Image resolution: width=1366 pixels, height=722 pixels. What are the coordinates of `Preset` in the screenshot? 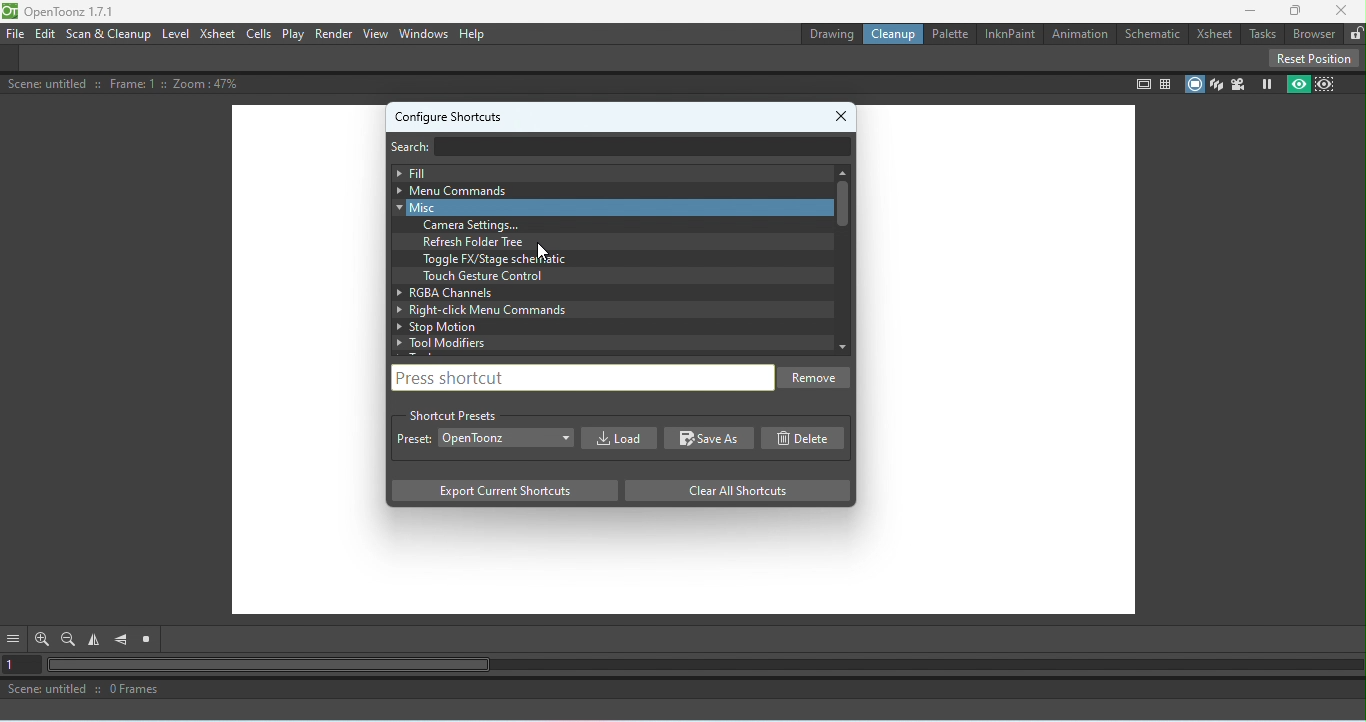 It's located at (414, 441).